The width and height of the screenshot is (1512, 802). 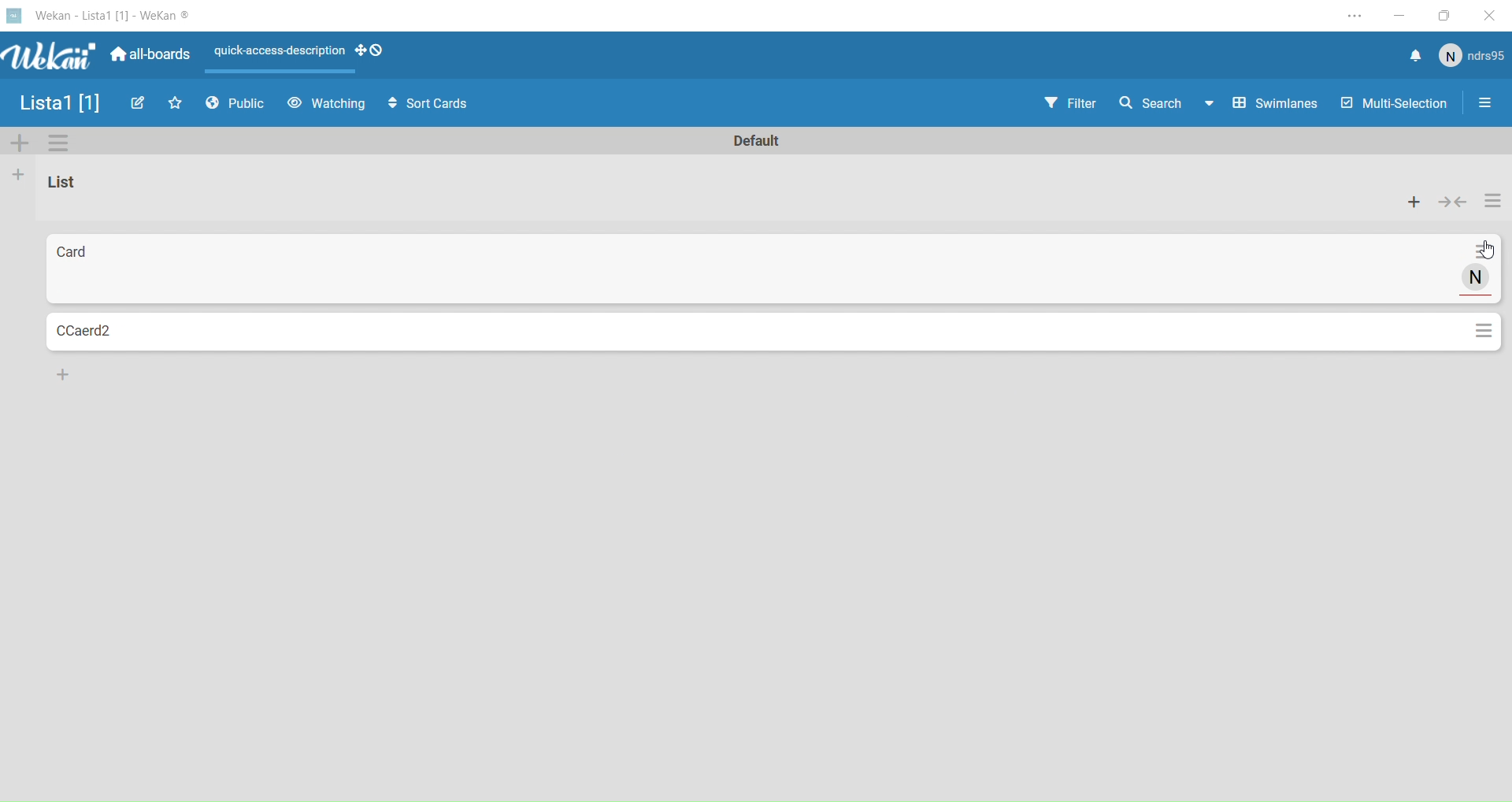 What do you see at coordinates (1482, 248) in the screenshot?
I see `Settings` at bounding box center [1482, 248].